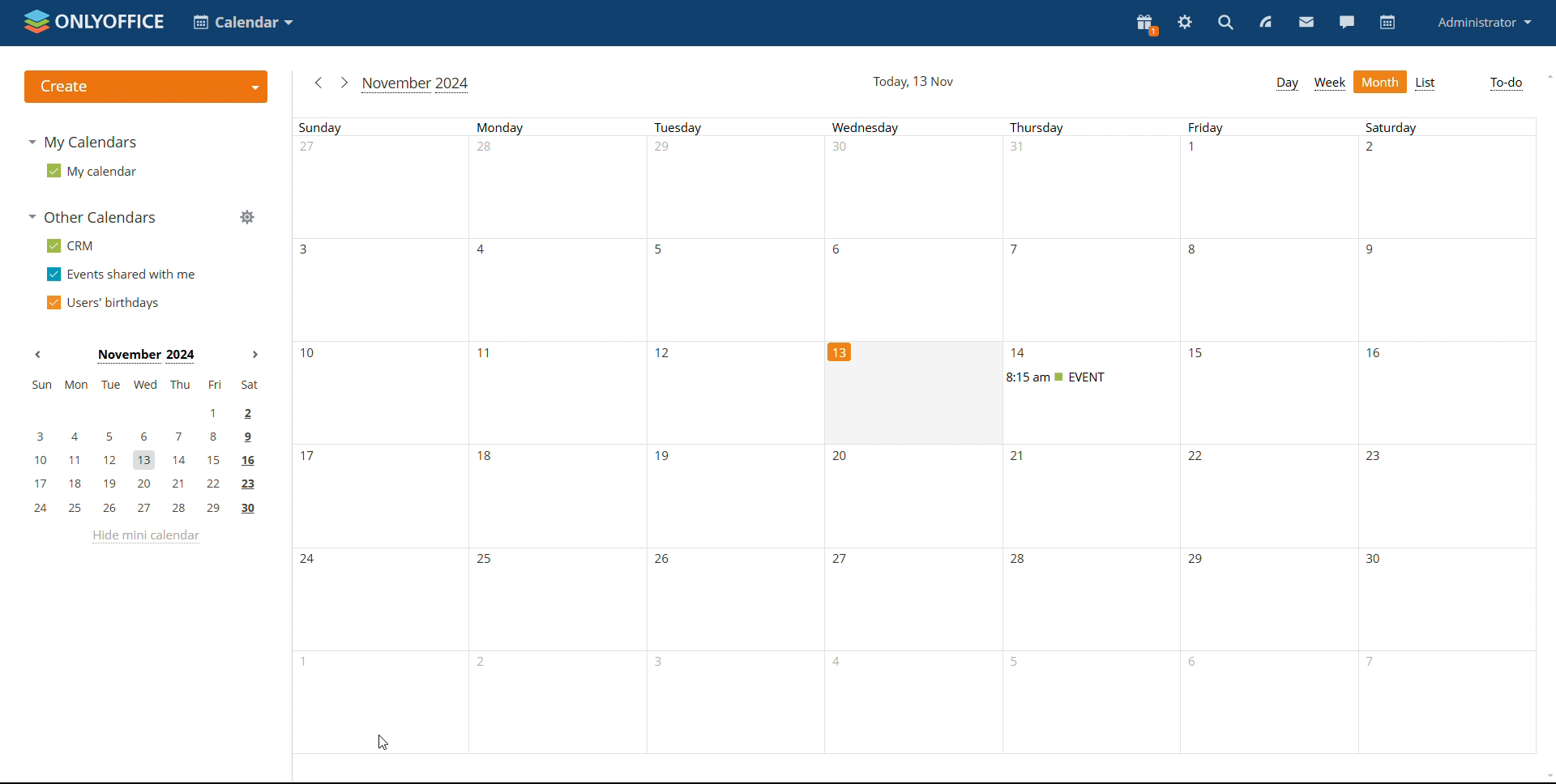 This screenshot has height=784, width=1556. What do you see at coordinates (1506, 83) in the screenshot?
I see `To-do` at bounding box center [1506, 83].